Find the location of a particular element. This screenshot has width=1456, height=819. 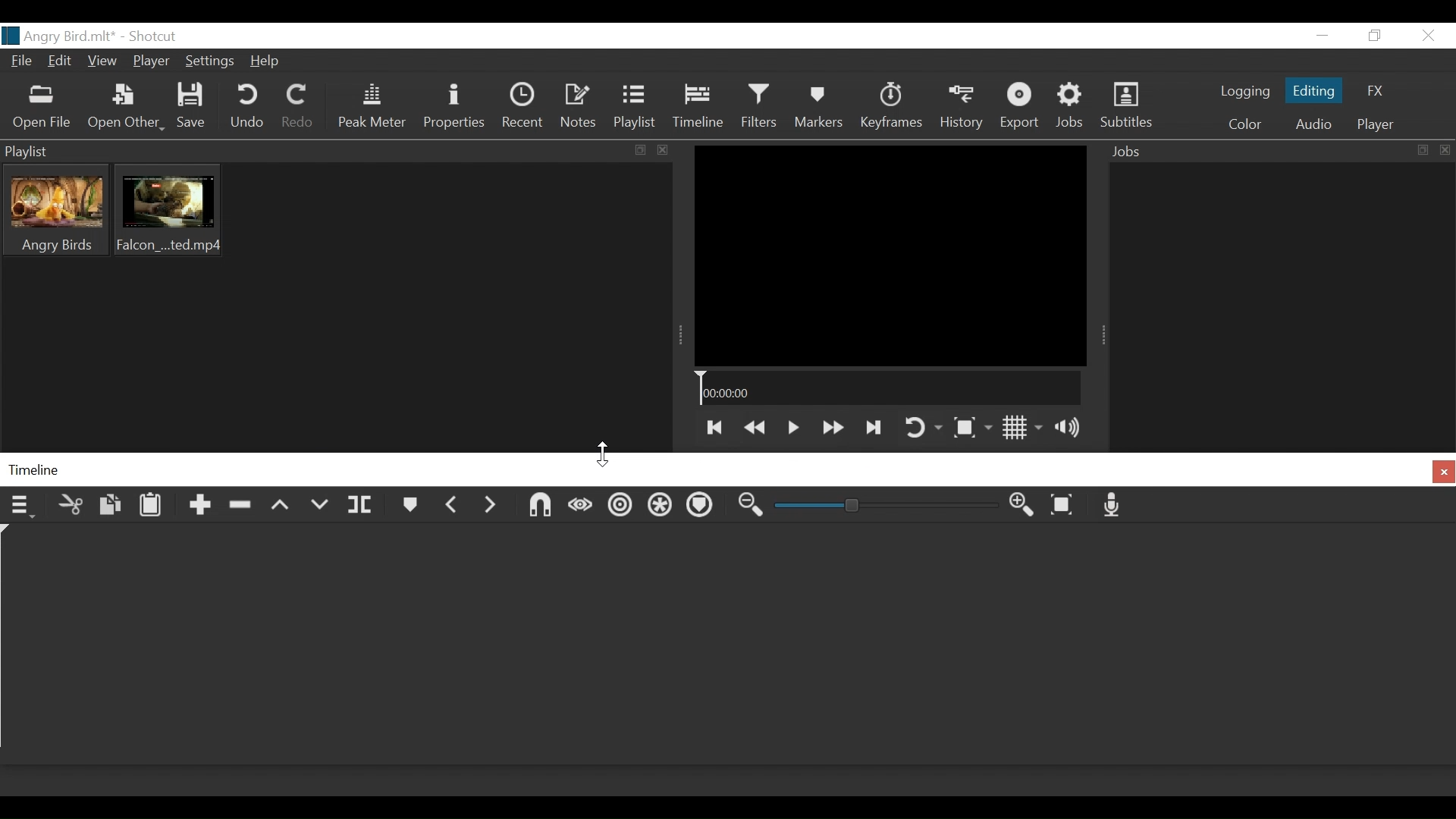

Save is located at coordinates (195, 106).